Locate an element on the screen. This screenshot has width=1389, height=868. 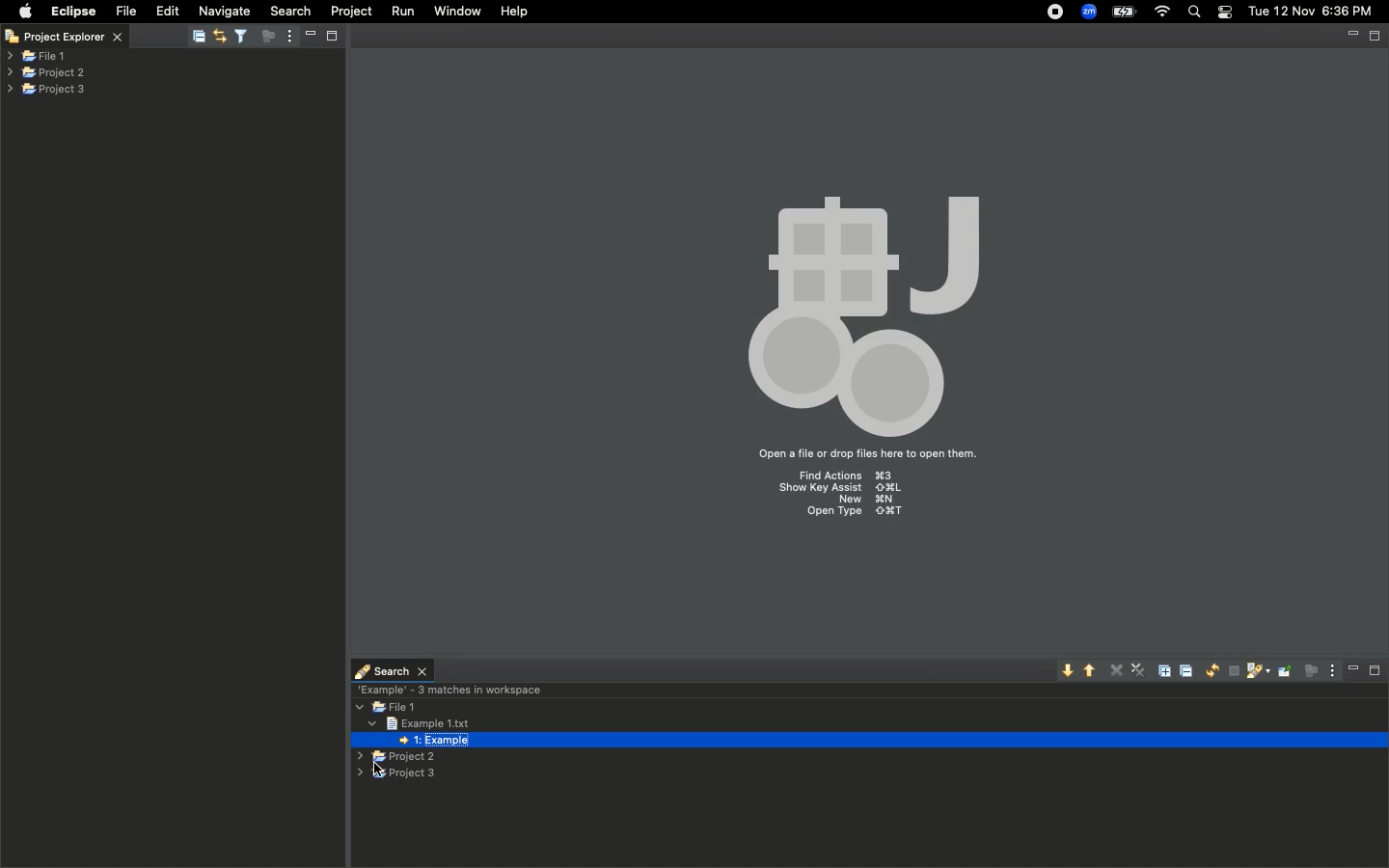
Show previous match is located at coordinates (1093, 669).